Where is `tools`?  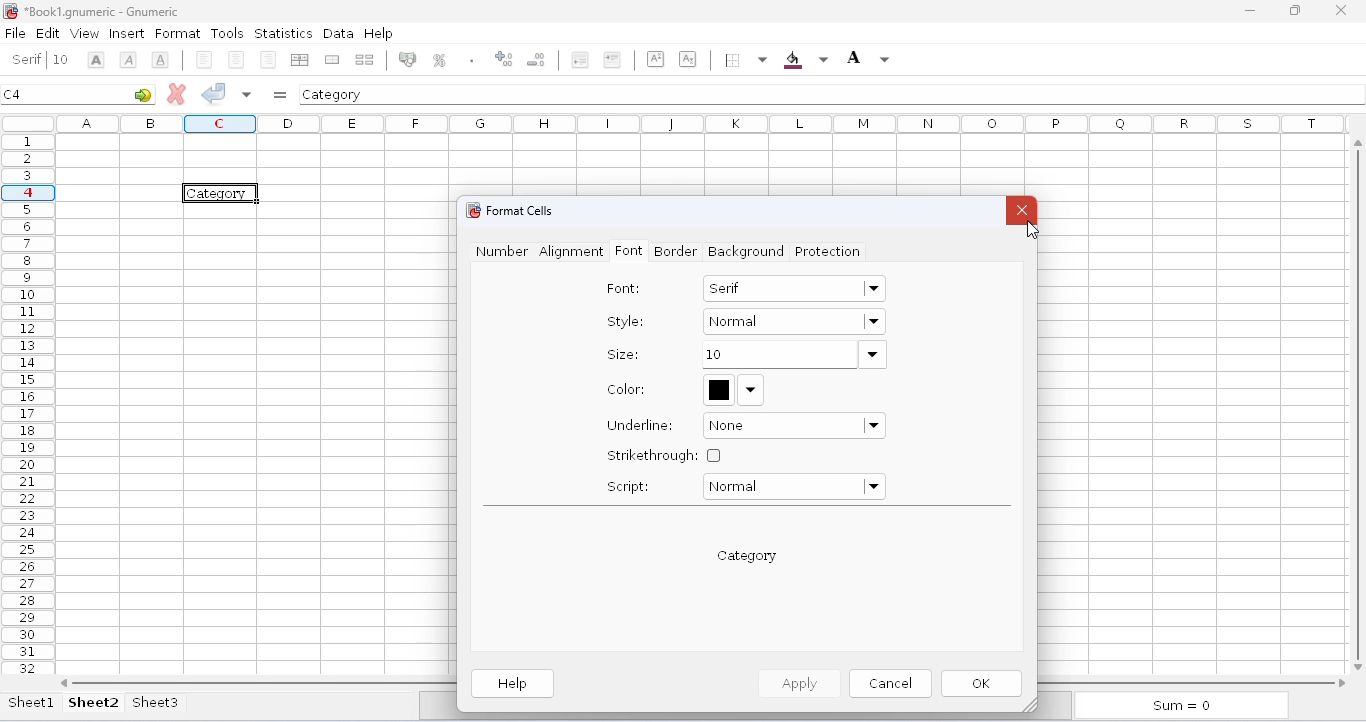
tools is located at coordinates (227, 33).